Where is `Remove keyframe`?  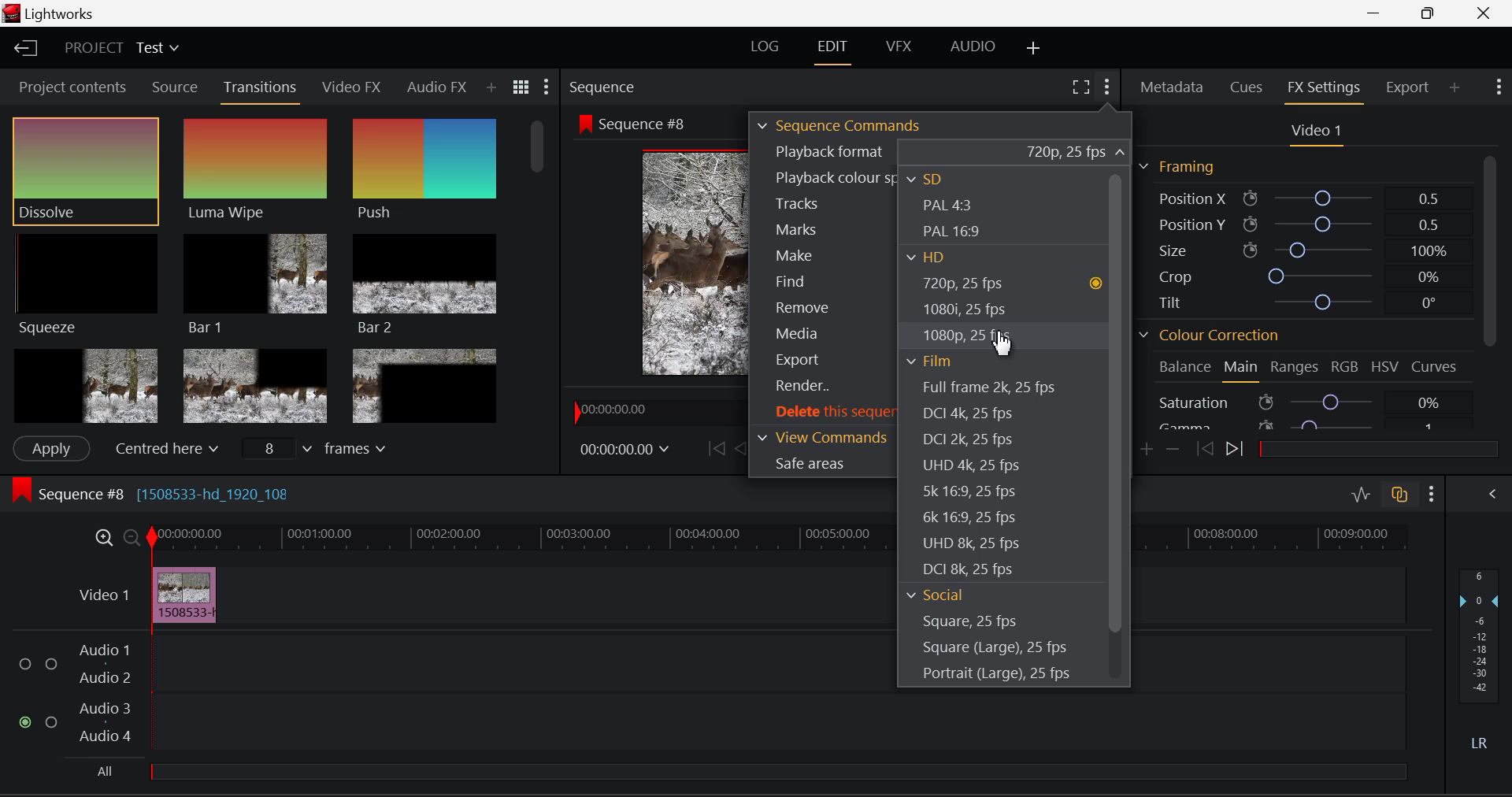
Remove keyframe is located at coordinates (1173, 450).